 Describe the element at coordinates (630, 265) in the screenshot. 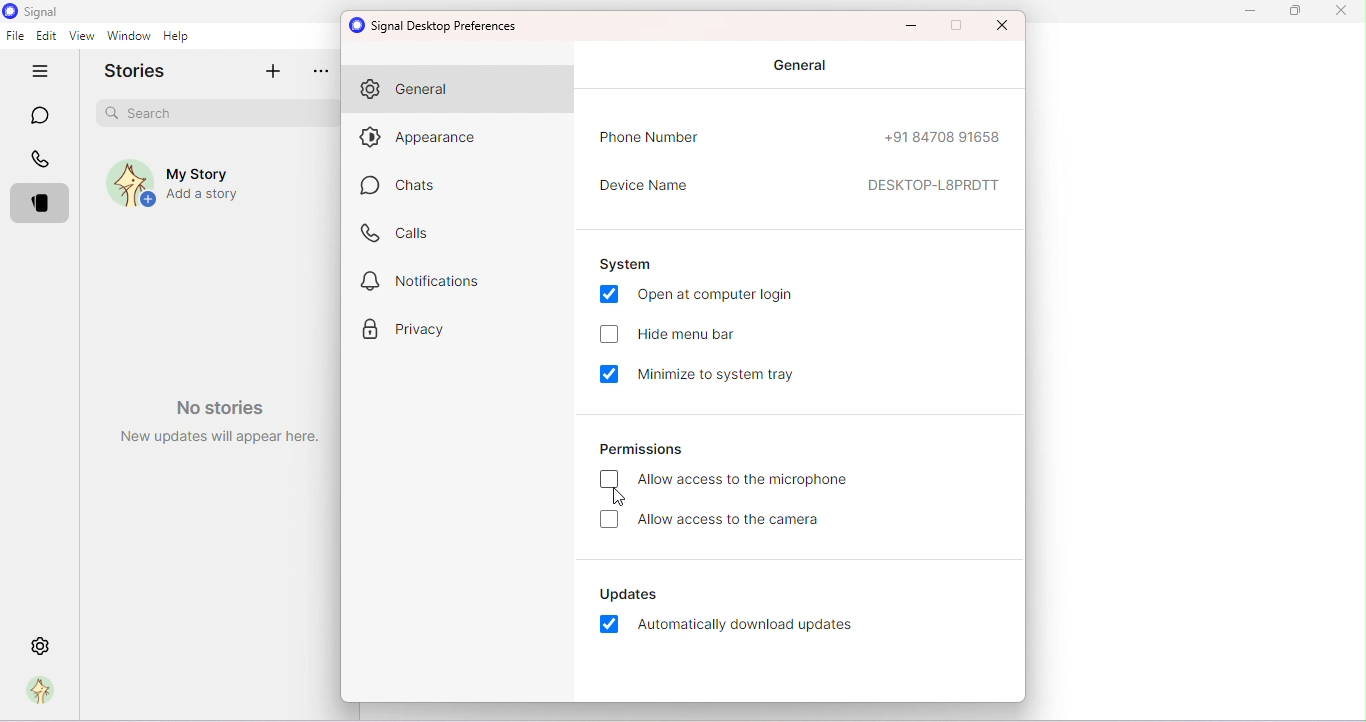

I see `System` at that location.